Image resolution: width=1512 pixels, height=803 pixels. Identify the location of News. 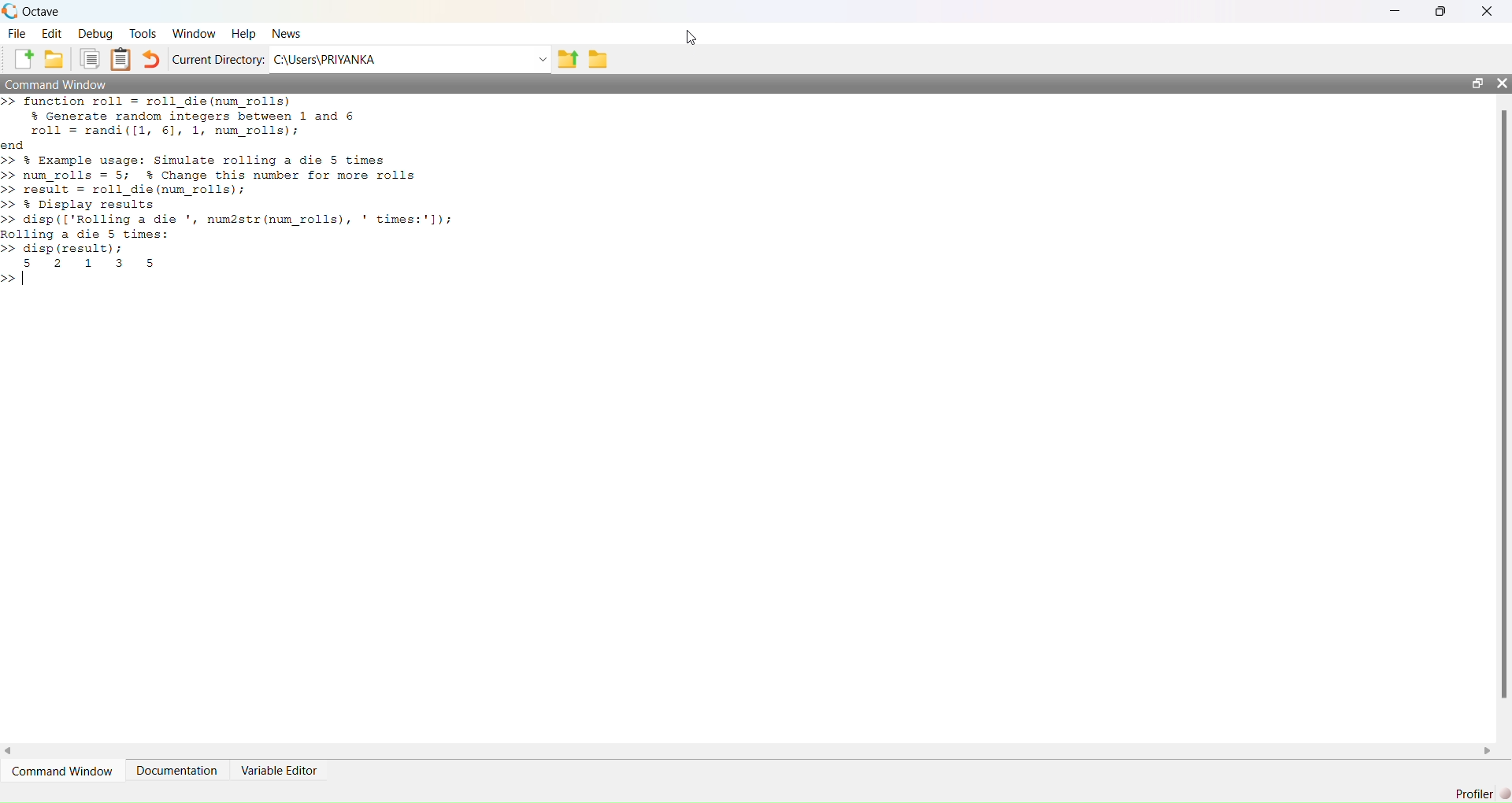
(288, 34).